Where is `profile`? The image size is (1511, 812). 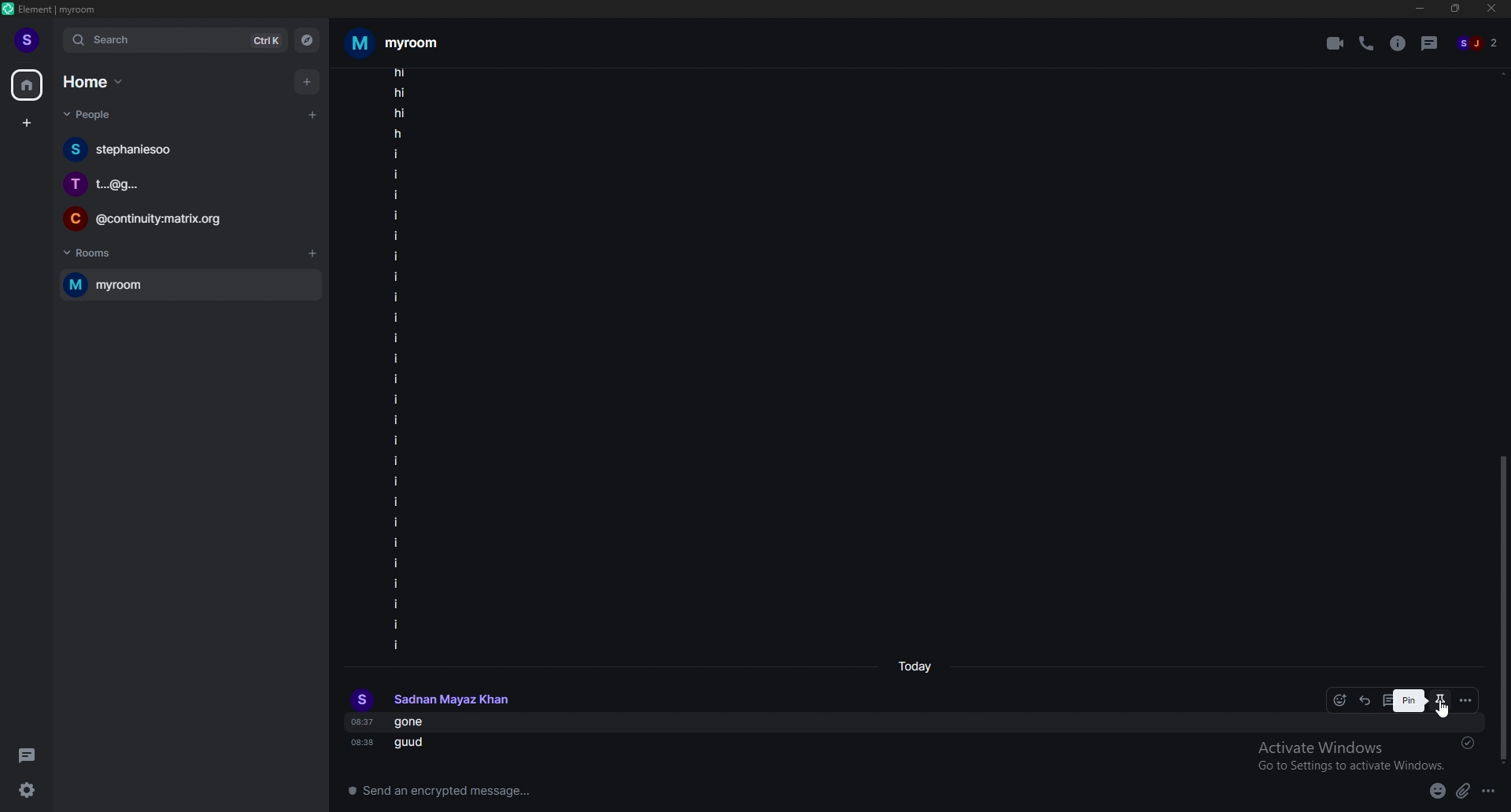 profile is located at coordinates (432, 698).